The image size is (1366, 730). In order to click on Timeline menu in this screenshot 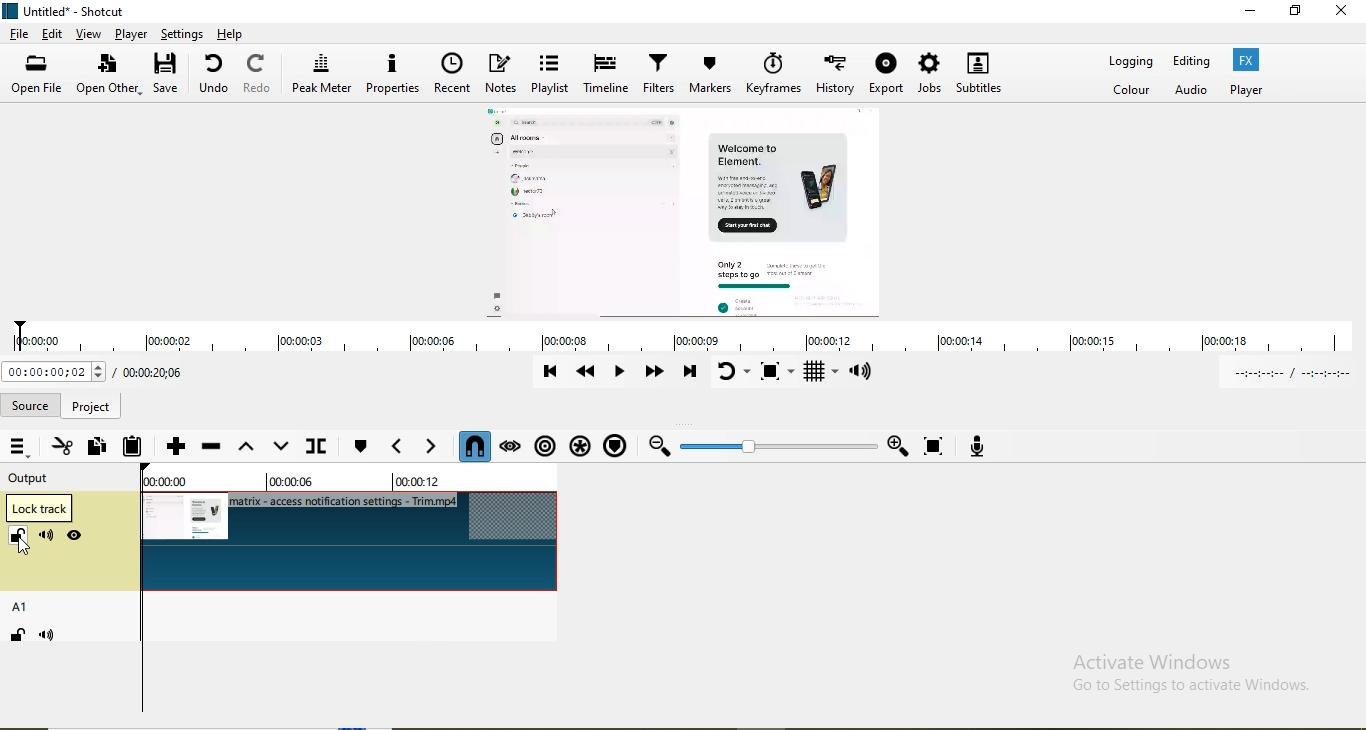, I will do `click(20, 447)`.